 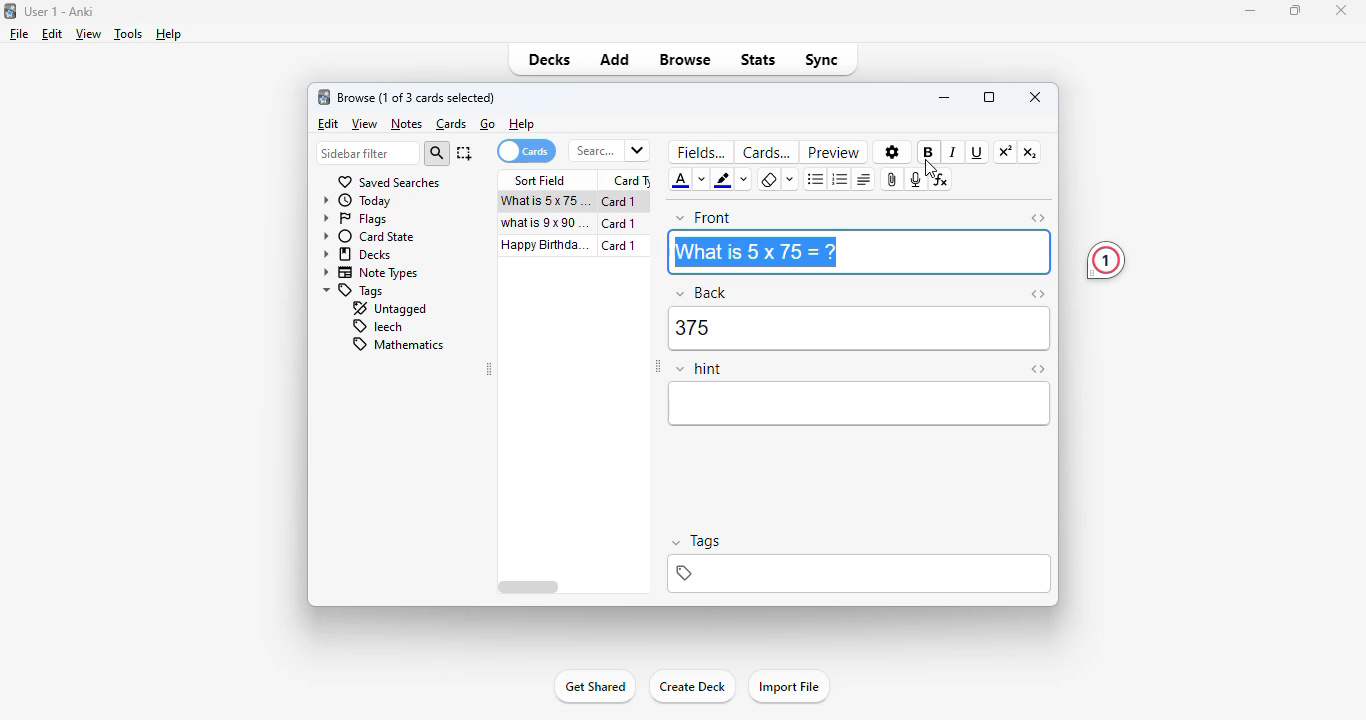 What do you see at coordinates (527, 151) in the screenshot?
I see `cards` at bounding box center [527, 151].